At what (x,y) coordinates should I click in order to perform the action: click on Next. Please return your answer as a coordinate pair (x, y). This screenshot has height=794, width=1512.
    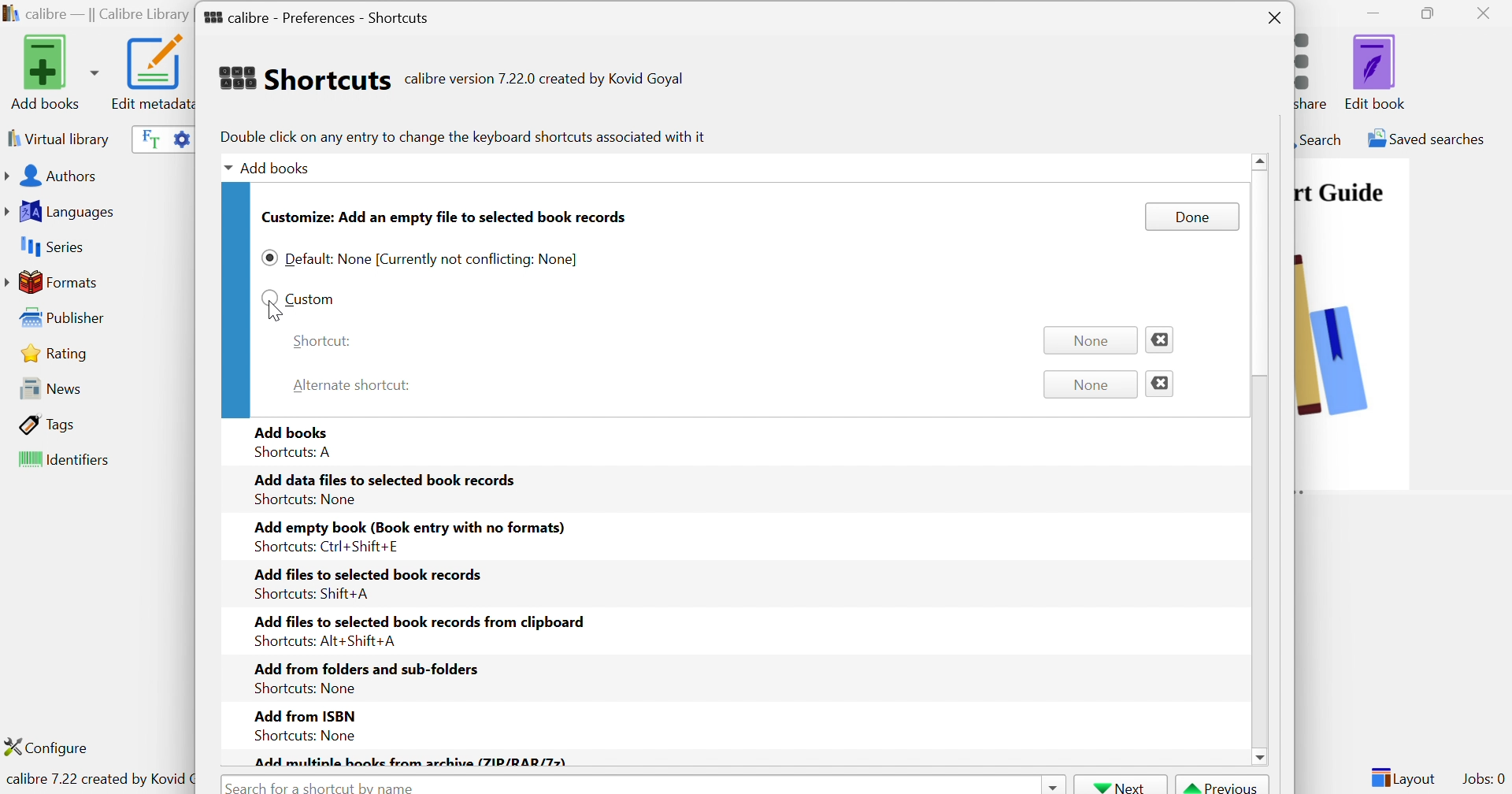
    Looking at the image, I should click on (1121, 785).